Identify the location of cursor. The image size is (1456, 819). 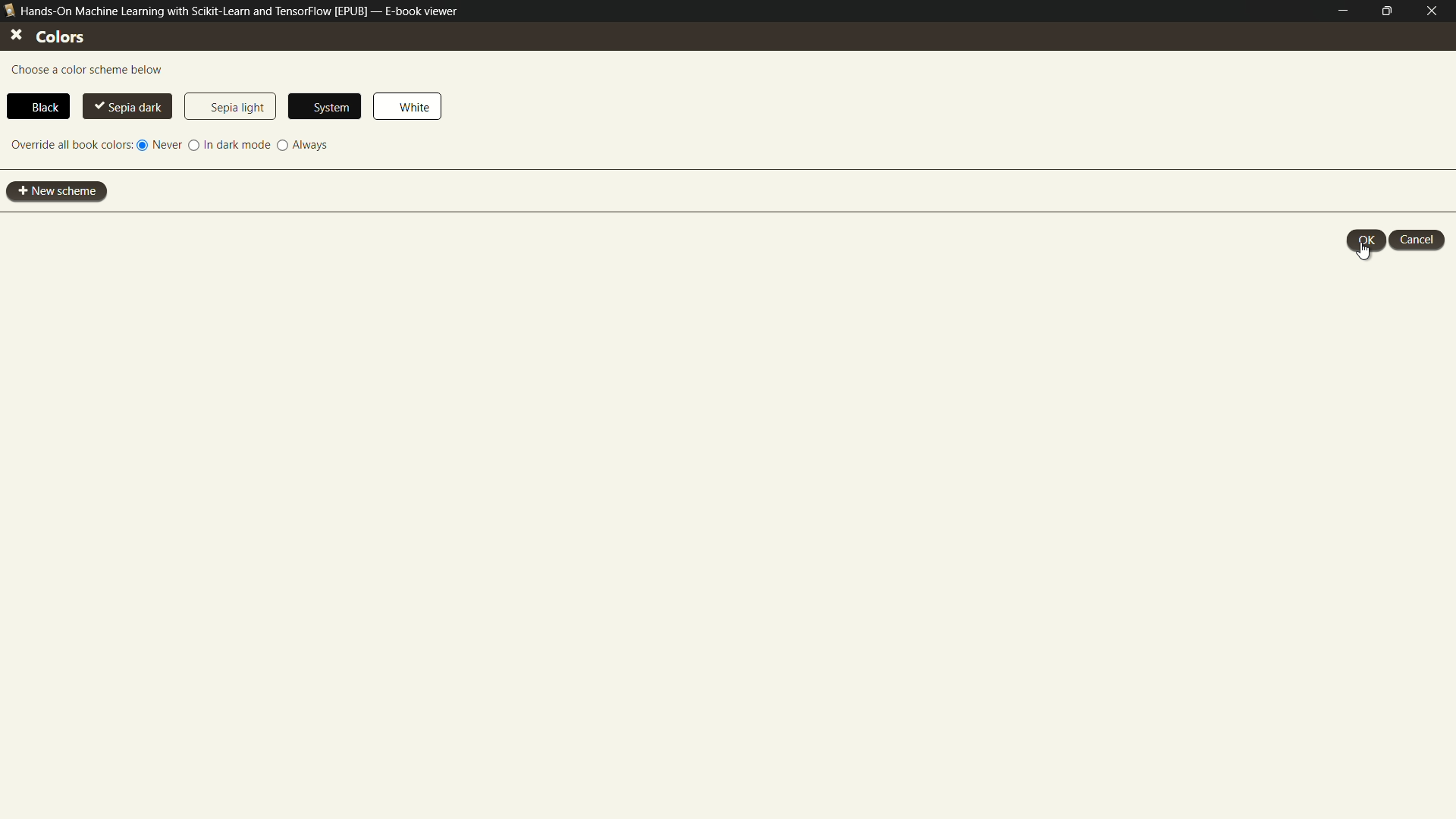
(1366, 253).